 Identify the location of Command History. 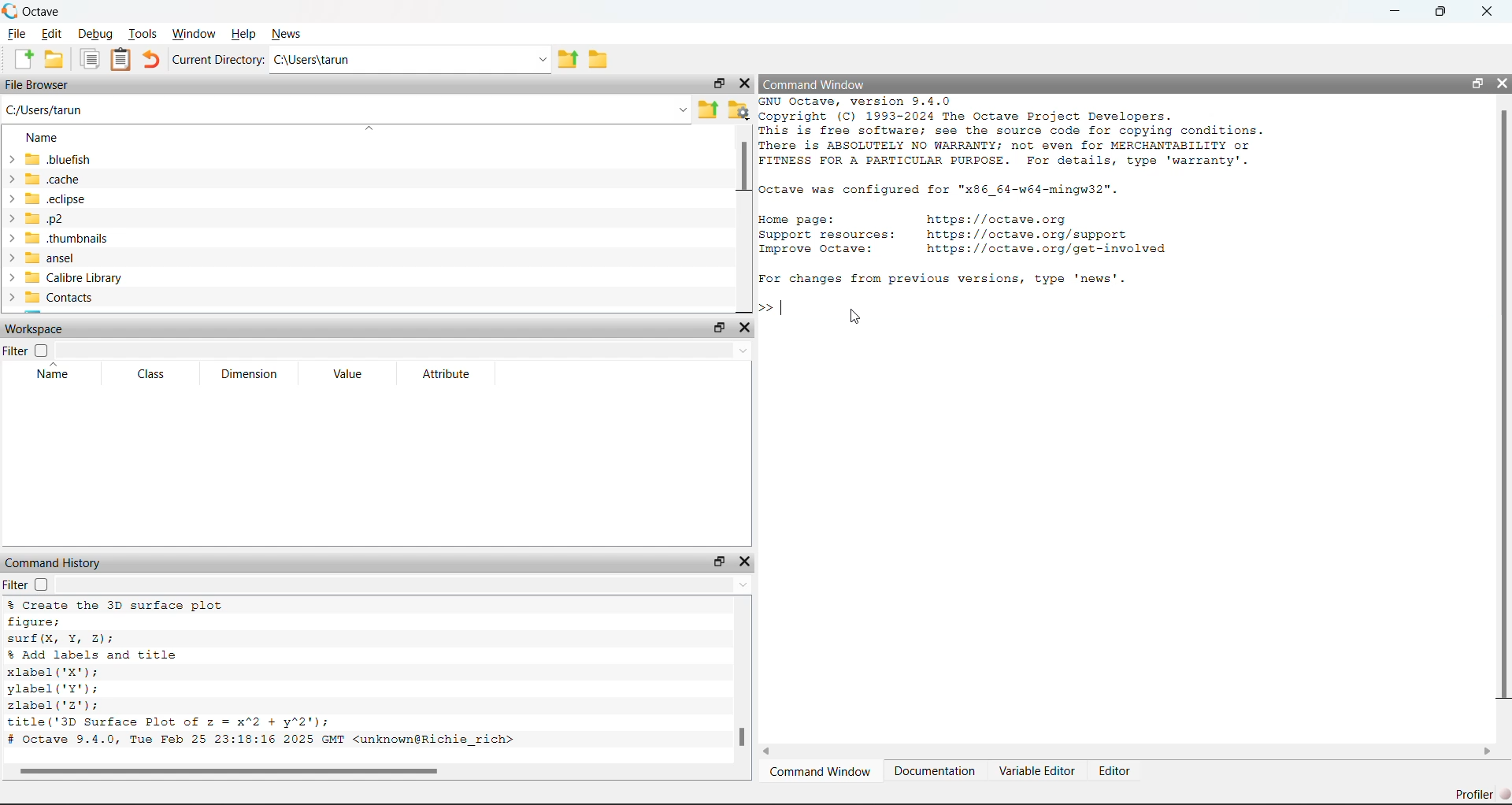
(54, 563).